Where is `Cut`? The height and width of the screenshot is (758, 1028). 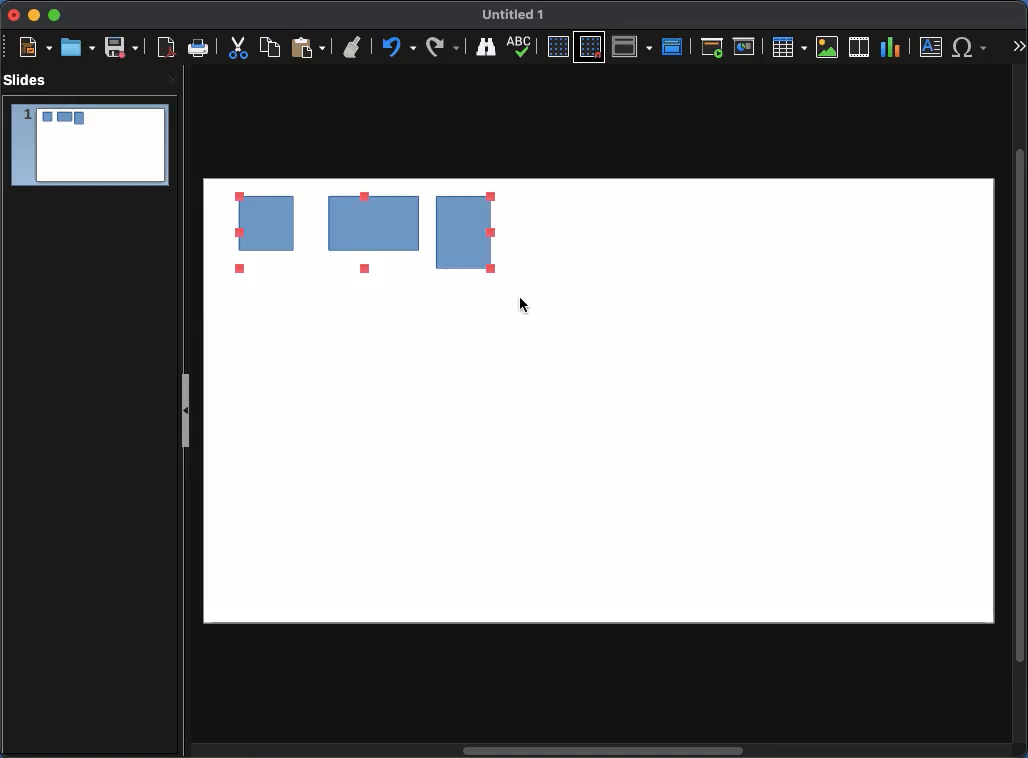 Cut is located at coordinates (239, 49).